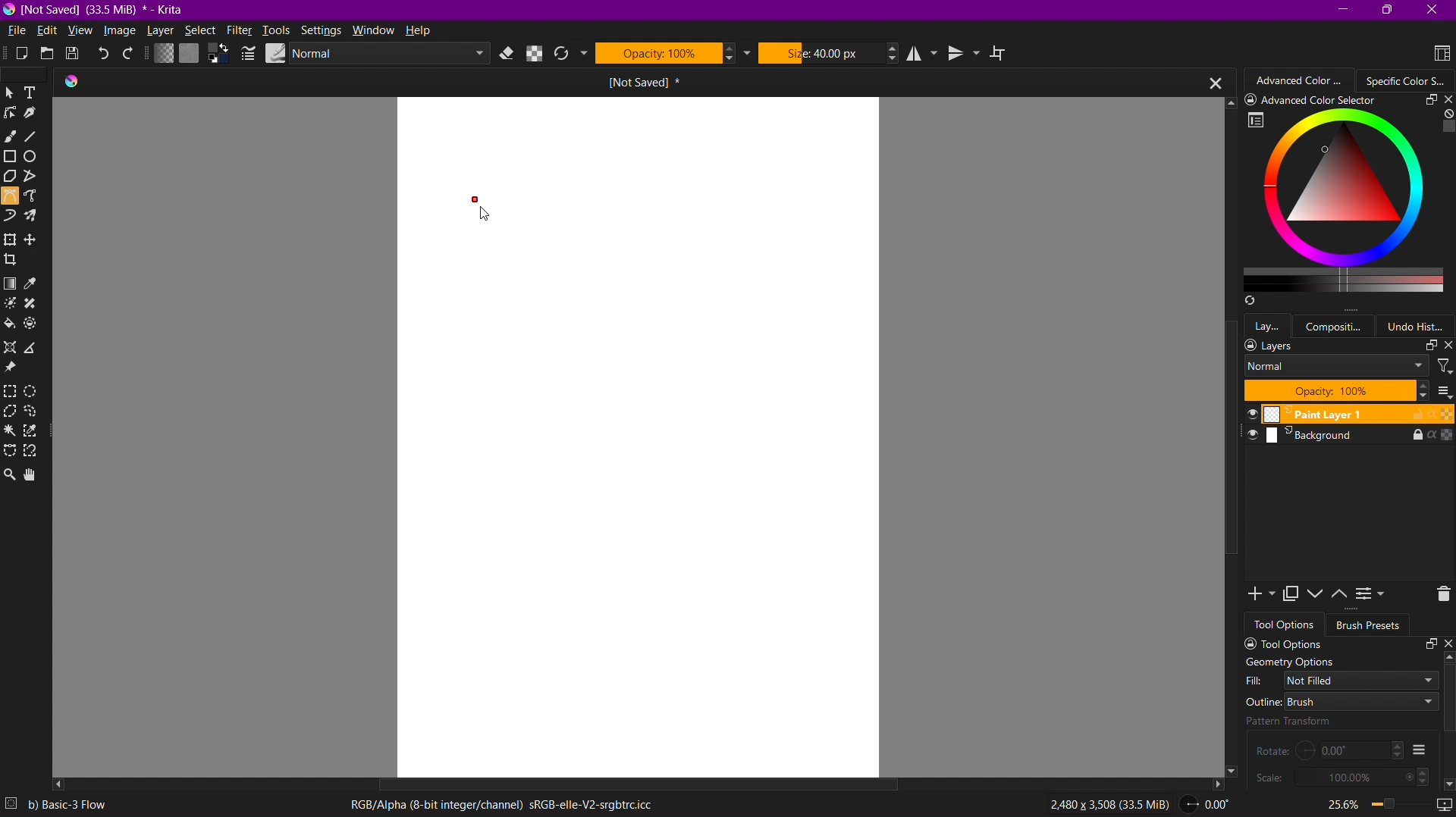 This screenshot has height=817, width=1456. I want to click on Scrollbar, so click(1228, 459).